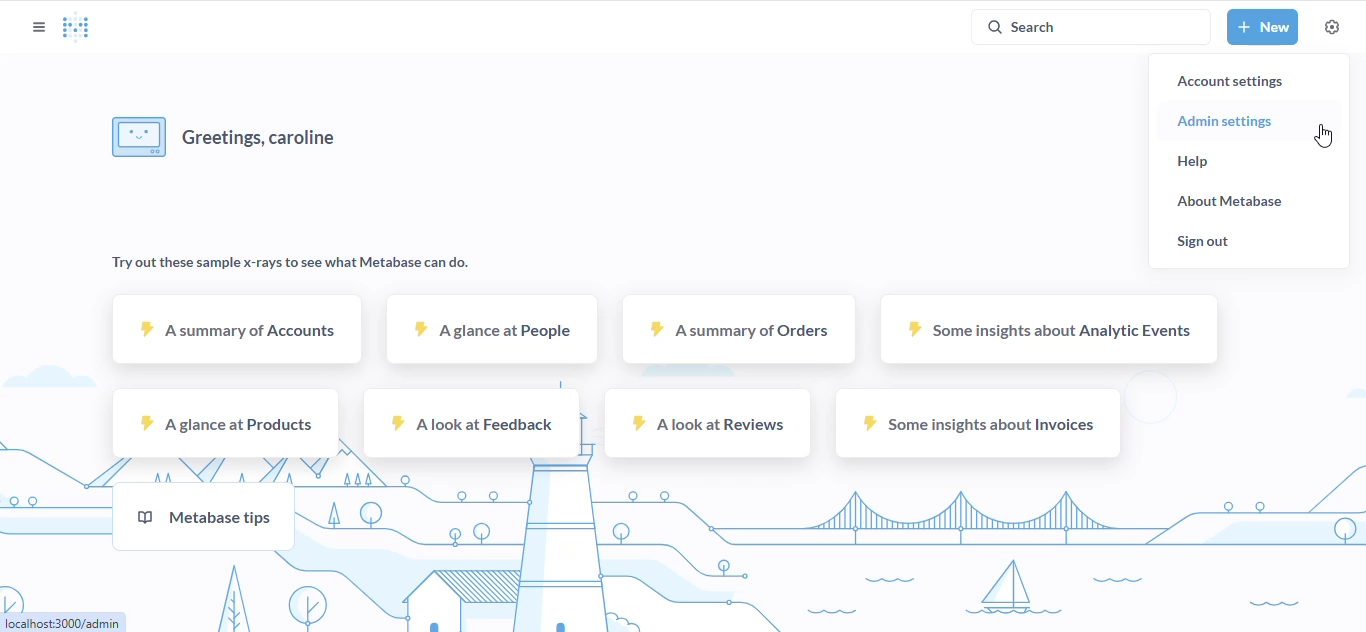 The image size is (1366, 632). I want to click on greetings, user, so click(224, 138).